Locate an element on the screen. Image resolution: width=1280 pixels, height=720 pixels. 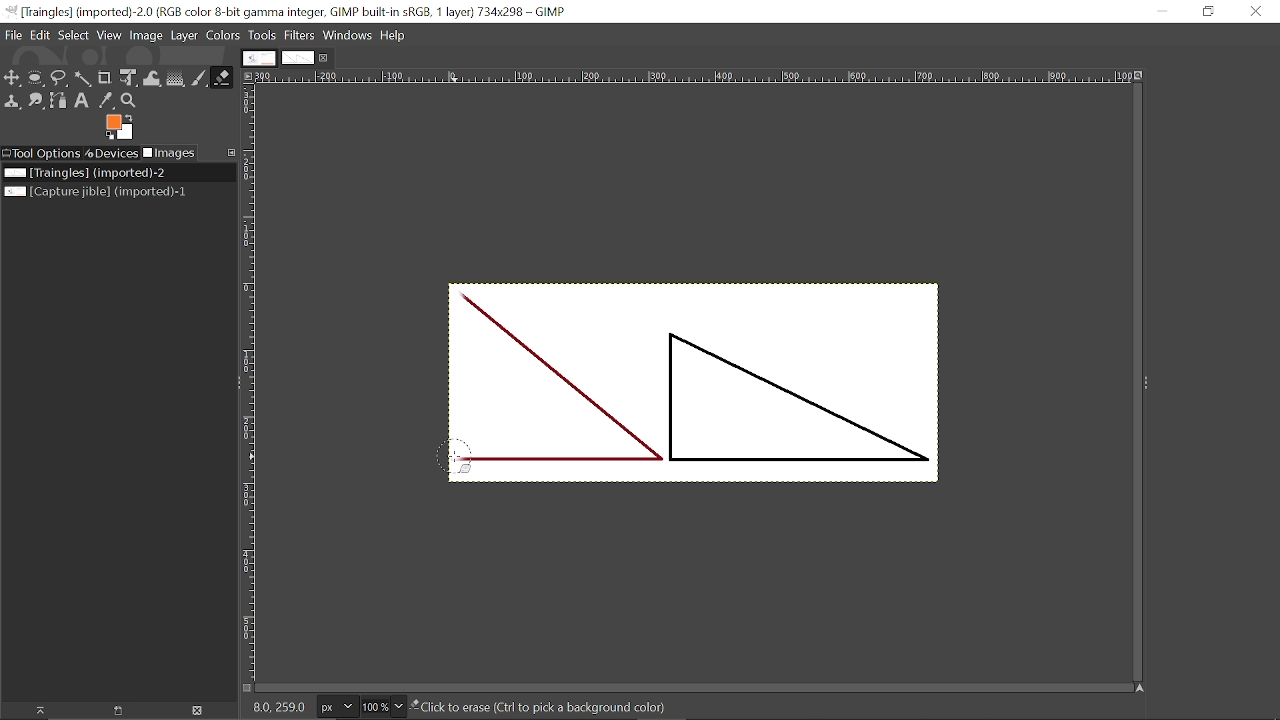
Delete image is located at coordinates (196, 712).